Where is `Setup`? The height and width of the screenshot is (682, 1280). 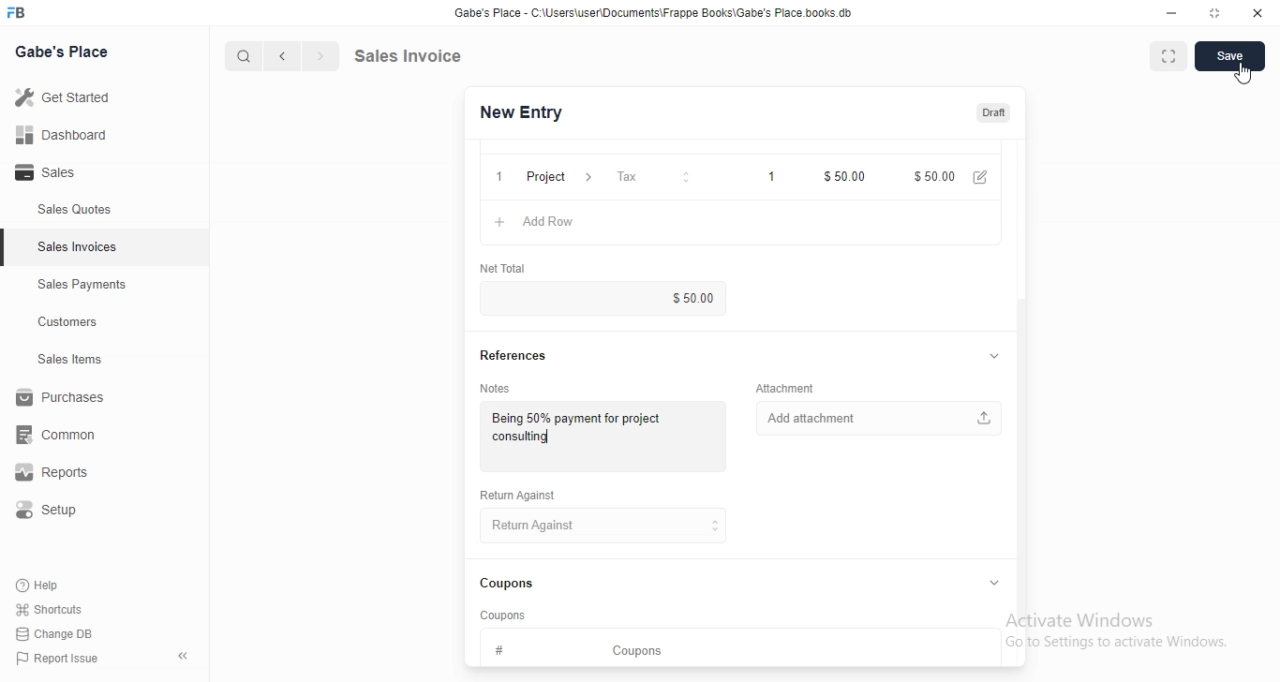
Setup is located at coordinates (57, 513).